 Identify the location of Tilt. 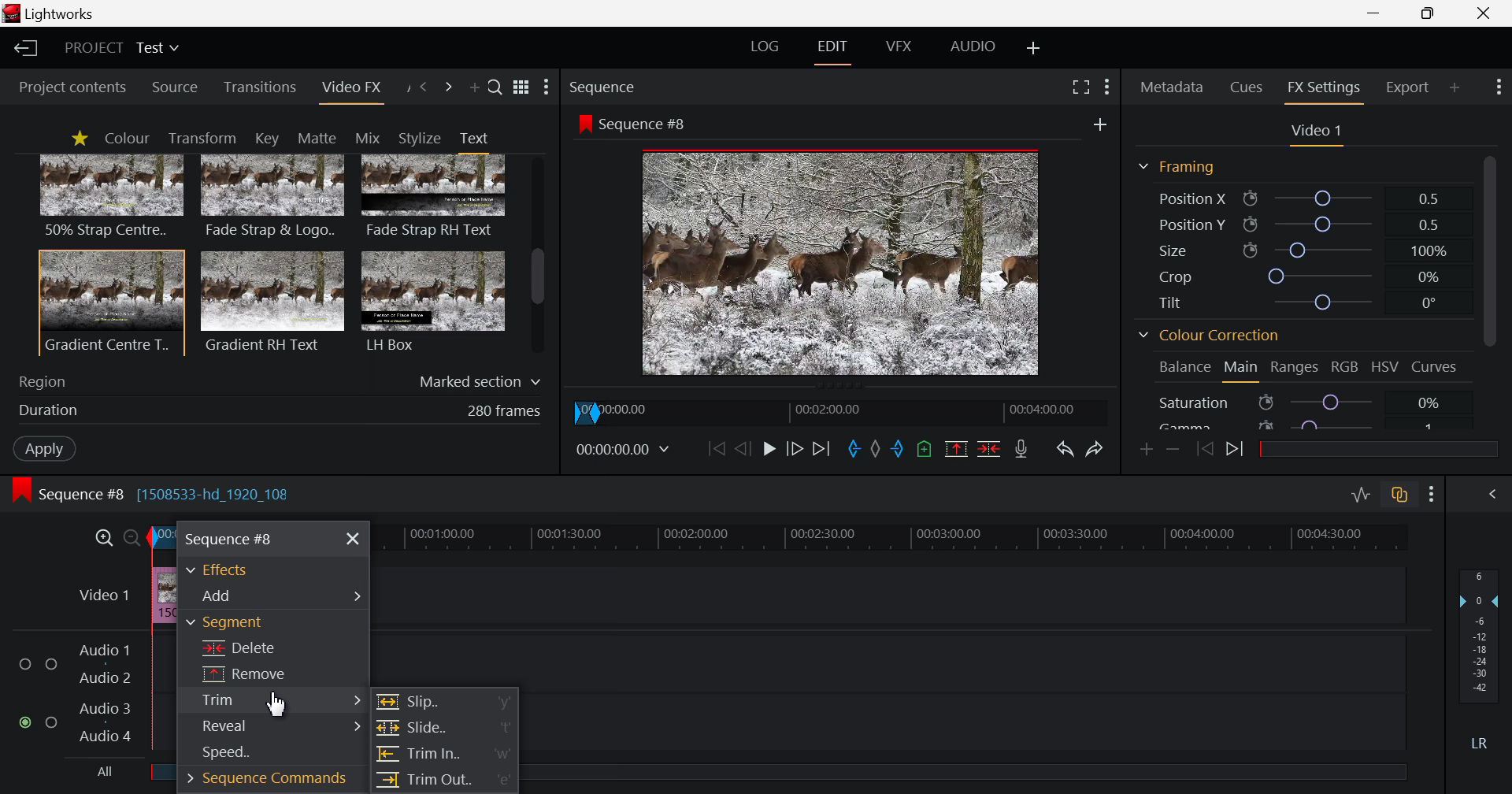
(1304, 302).